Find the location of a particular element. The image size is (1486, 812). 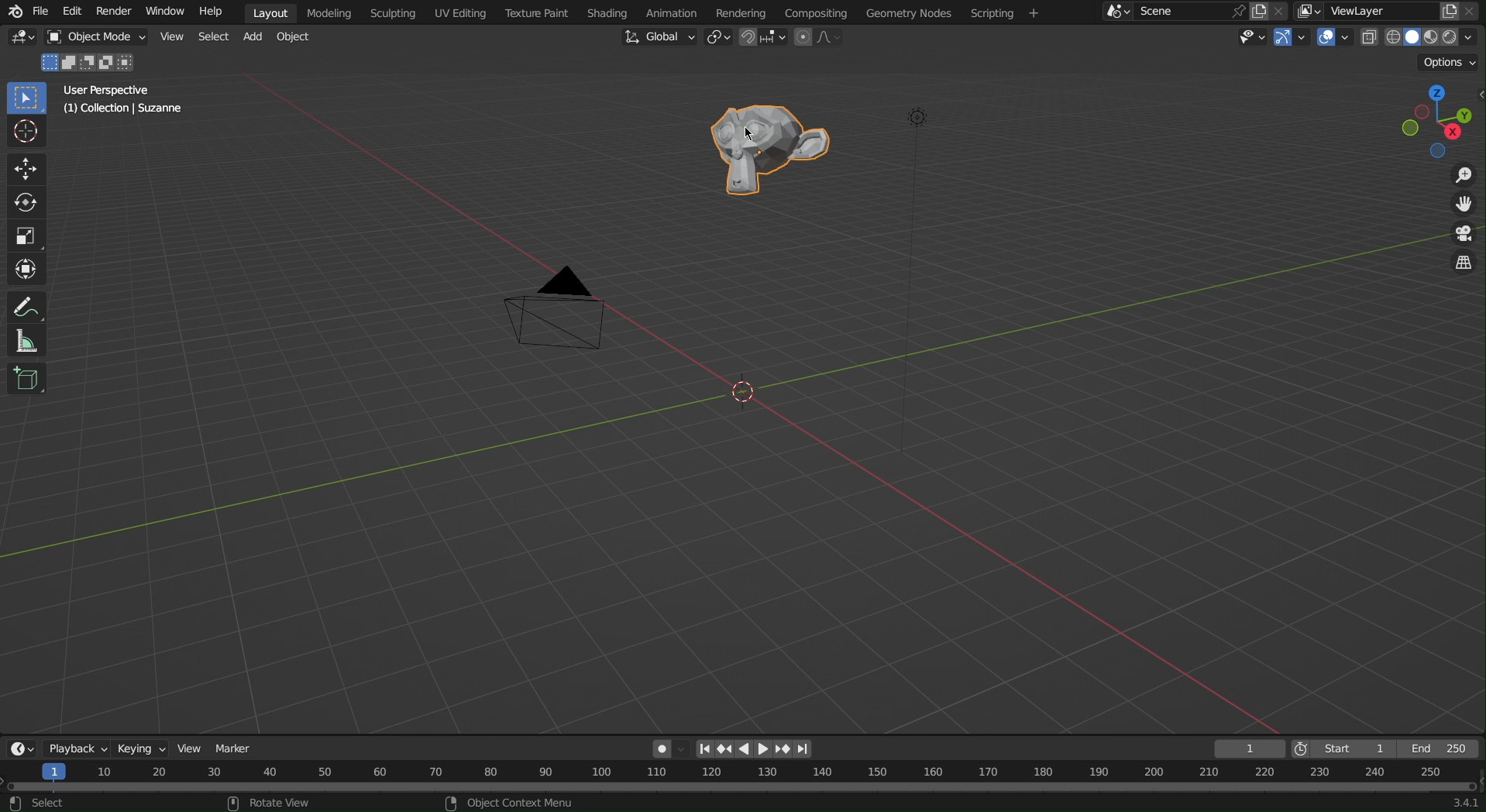

Scene is located at coordinates (1158, 13).